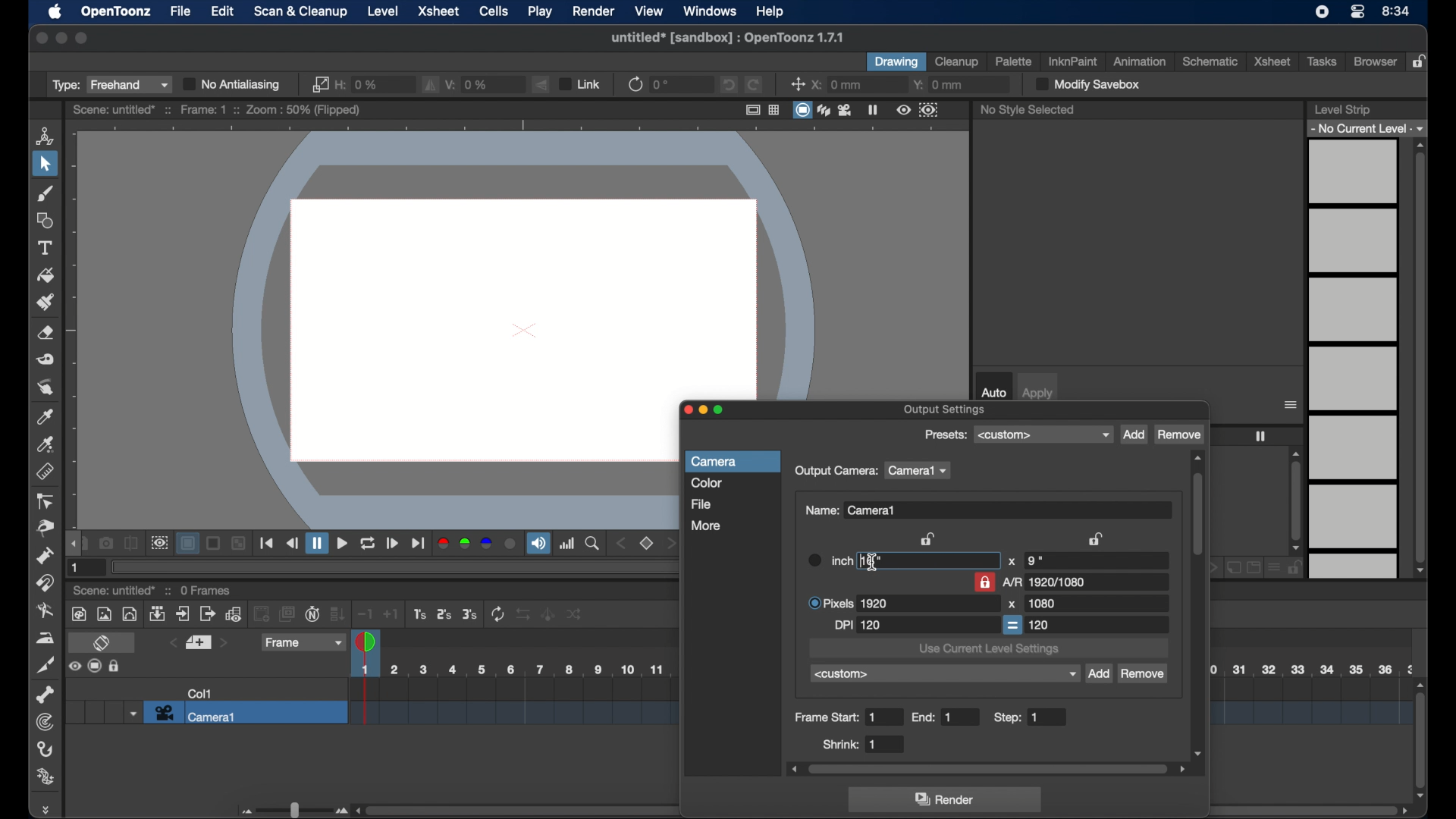 The height and width of the screenshot is (819, 1456). What do you see at coordinates (930, 538) in the screenshot?
I see `lock` at bounding box center [930, 538].